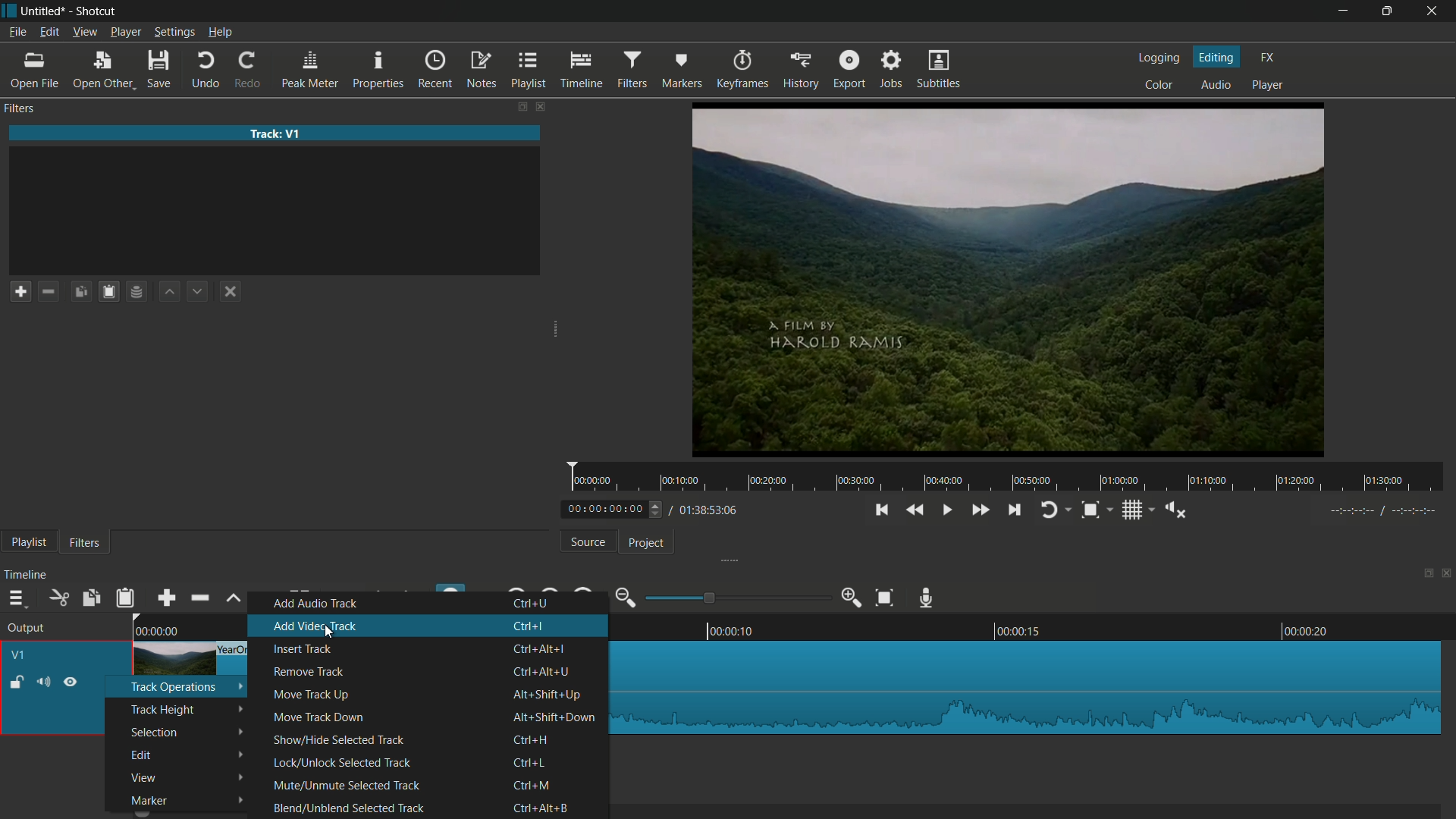  I want to click on toggle grid, so click(1131, 510).